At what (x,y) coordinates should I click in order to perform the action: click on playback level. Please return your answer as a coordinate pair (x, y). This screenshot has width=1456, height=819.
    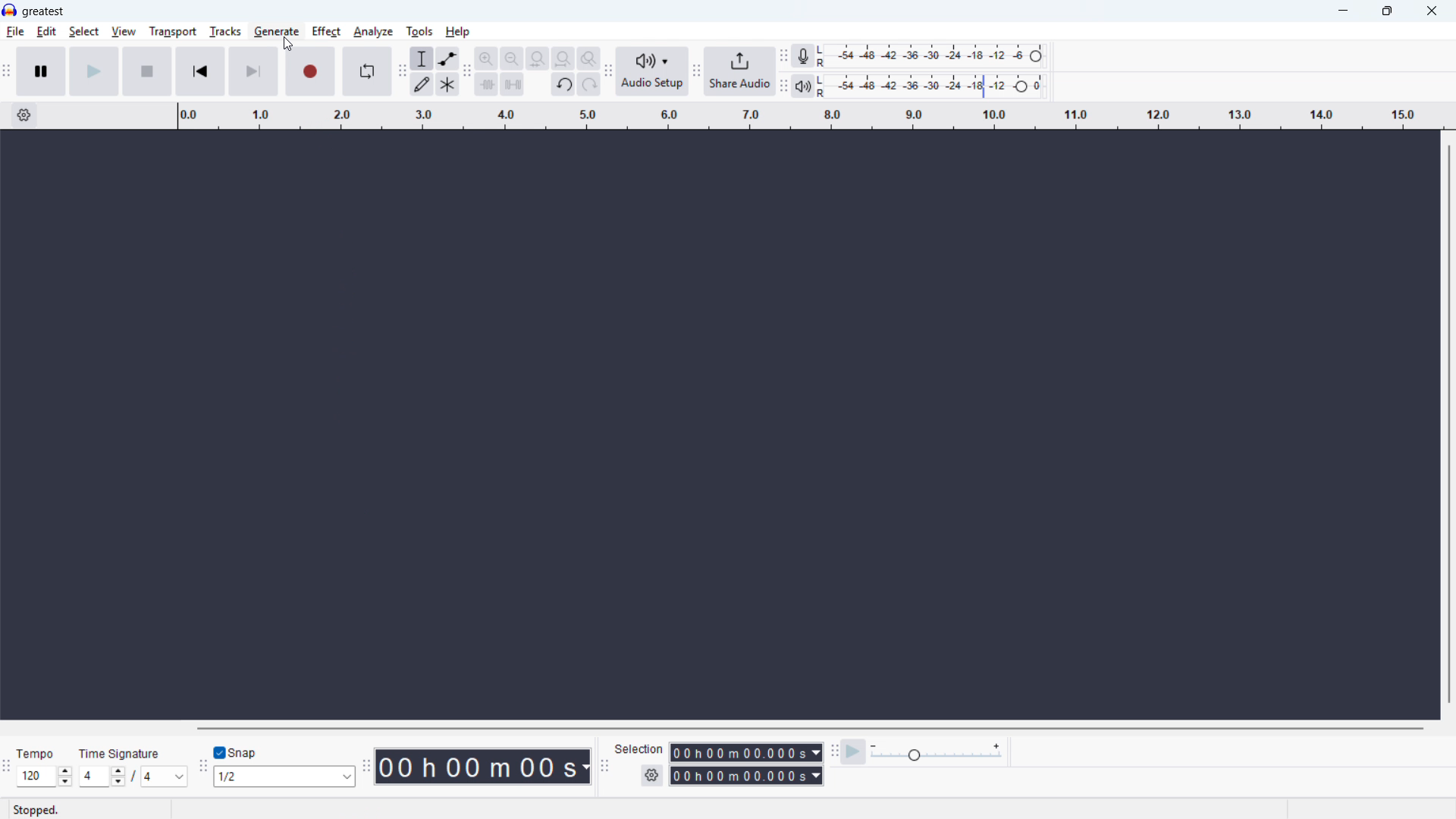
    Looking at the image, I should click on (935, 86).